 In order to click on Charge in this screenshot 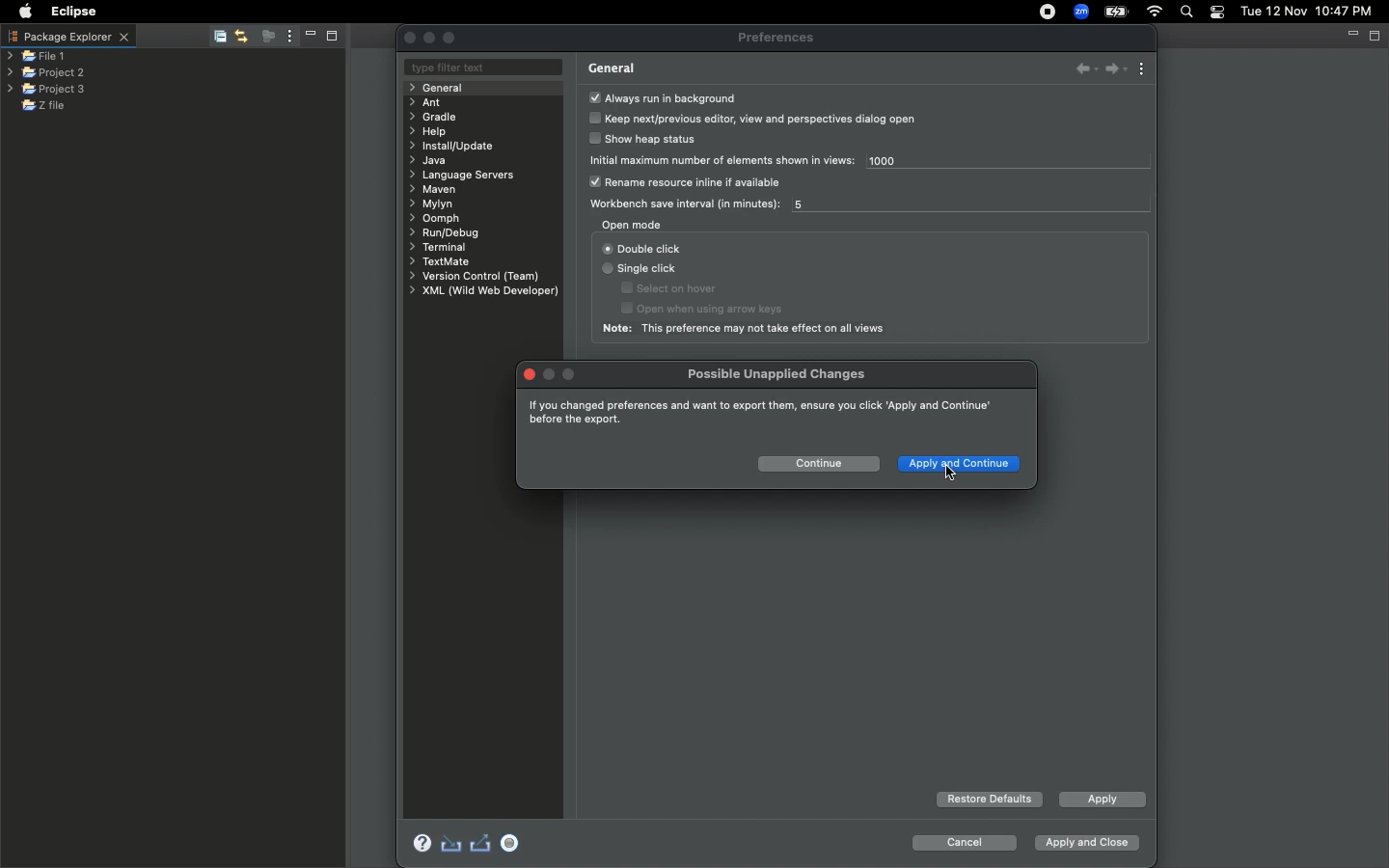, I will do `click(1119, 11)`.